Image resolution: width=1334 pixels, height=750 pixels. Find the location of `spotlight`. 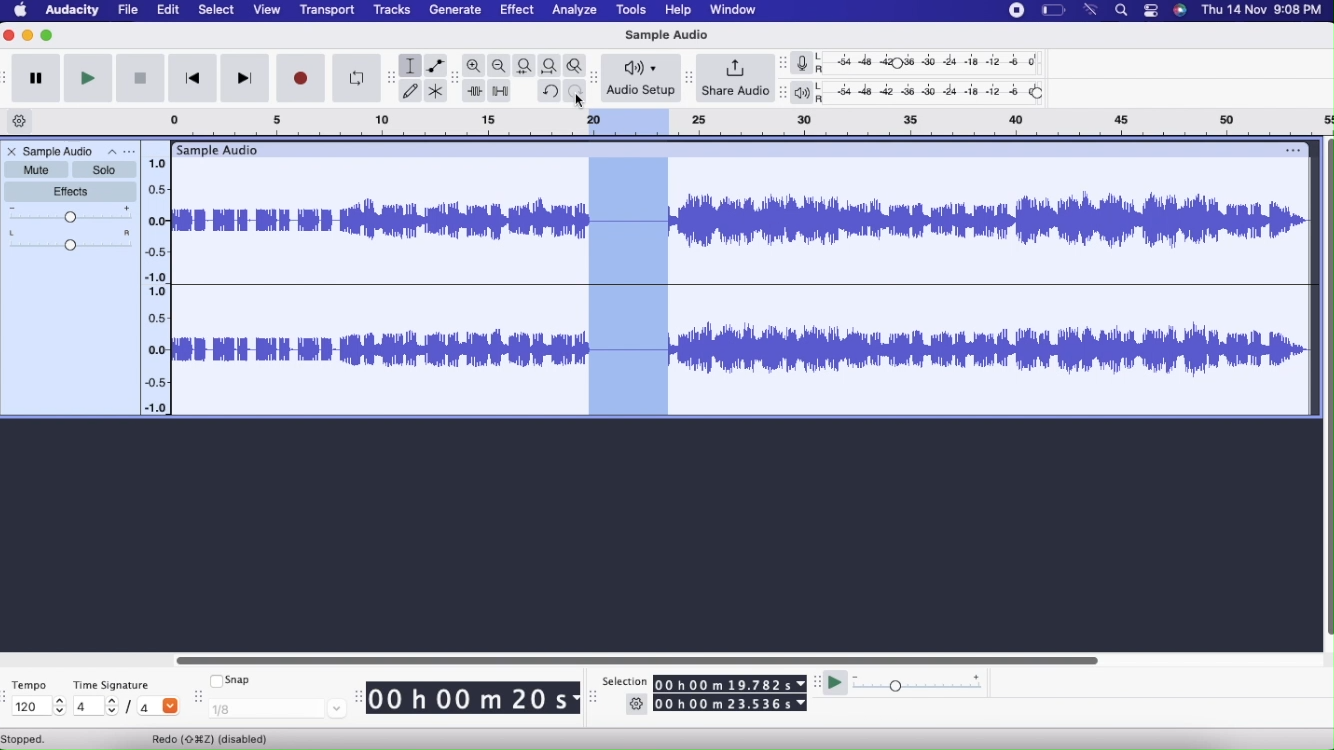

spotlight is located at coordinates (1121, 10).